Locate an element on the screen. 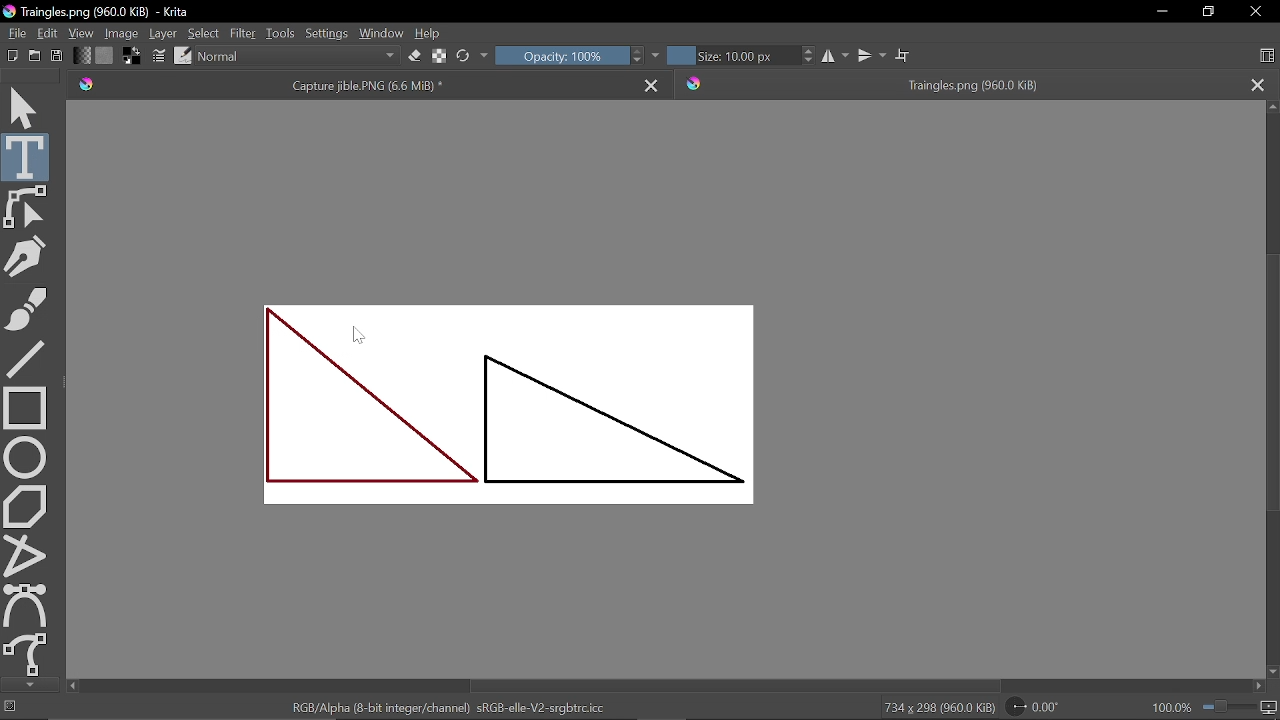 This screenshot has height=720, width=1280. Polygon tool is located at coordinates (26, 505).